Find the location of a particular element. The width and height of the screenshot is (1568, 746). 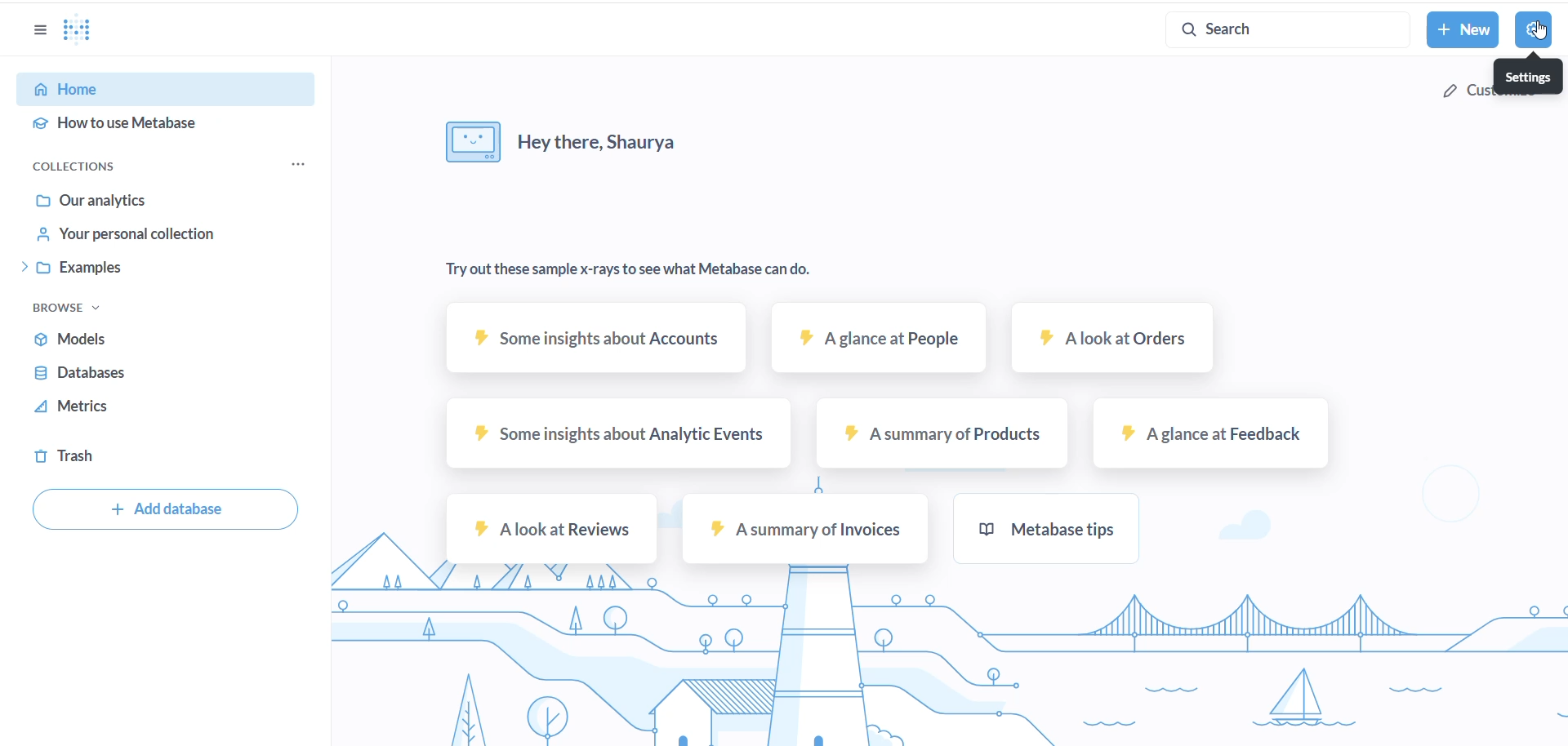

settings  is located at coordinates (1532, 76).